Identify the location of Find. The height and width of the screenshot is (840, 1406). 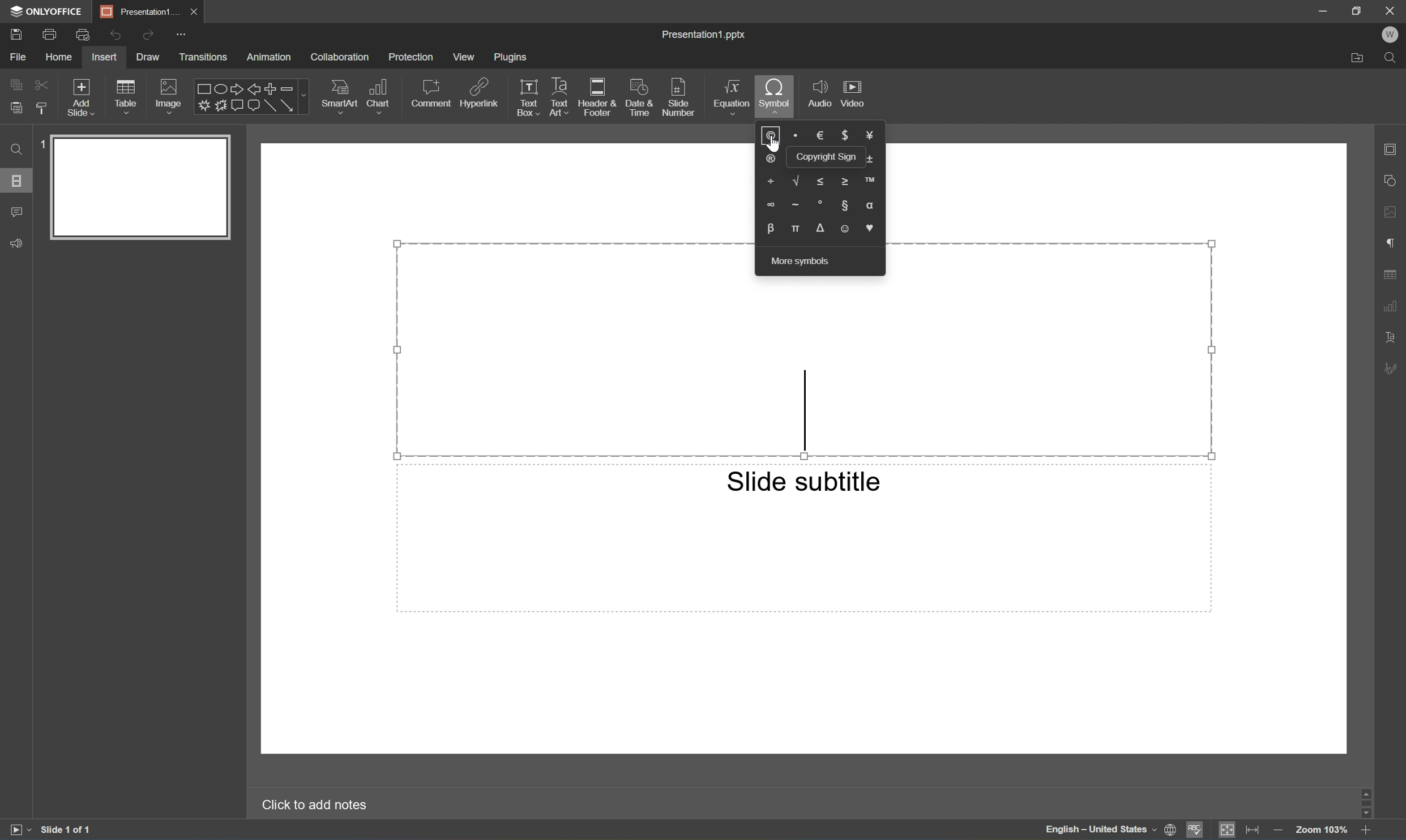
(14, 148).